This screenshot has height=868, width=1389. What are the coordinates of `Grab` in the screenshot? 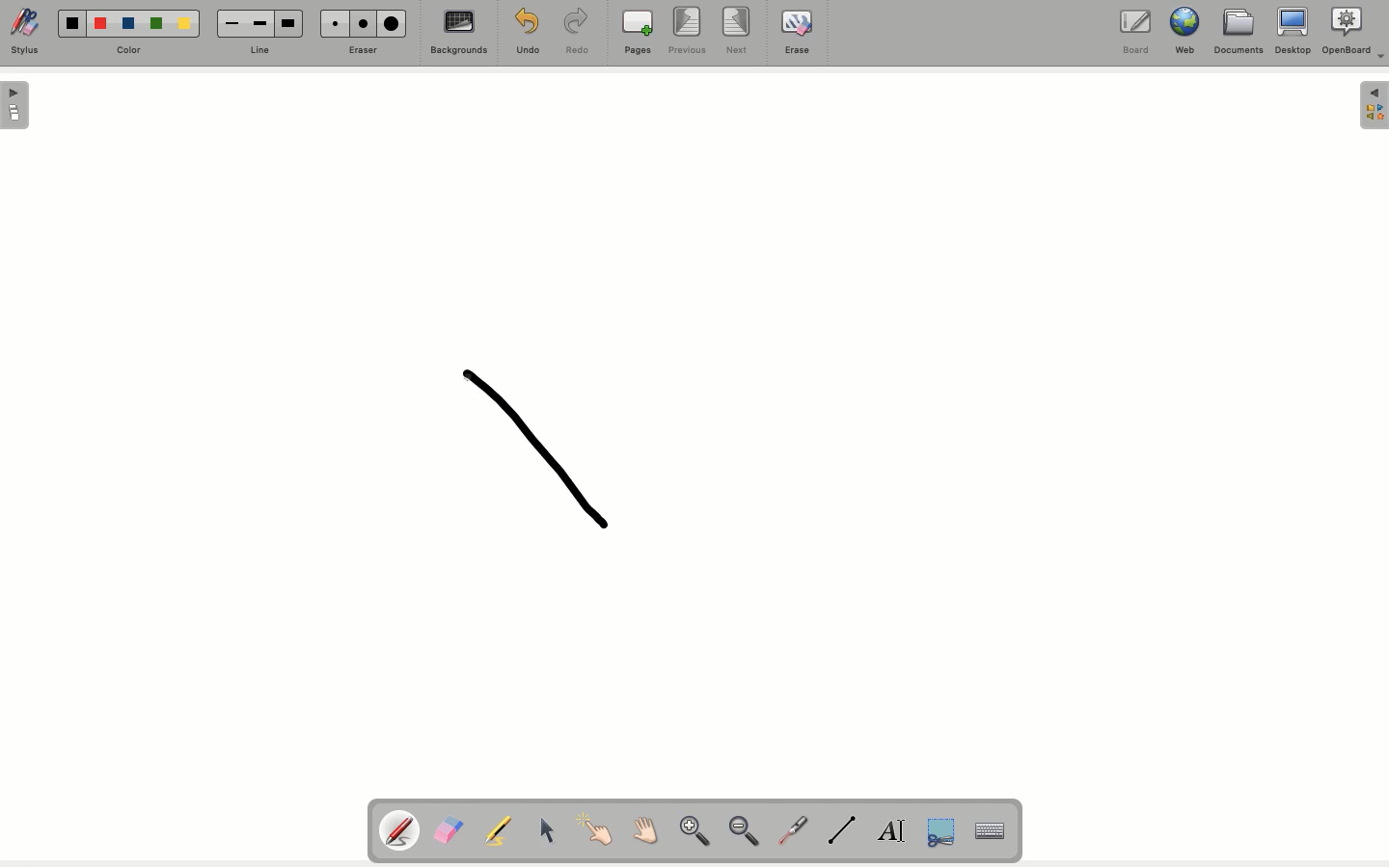 It's located at (643, 831).